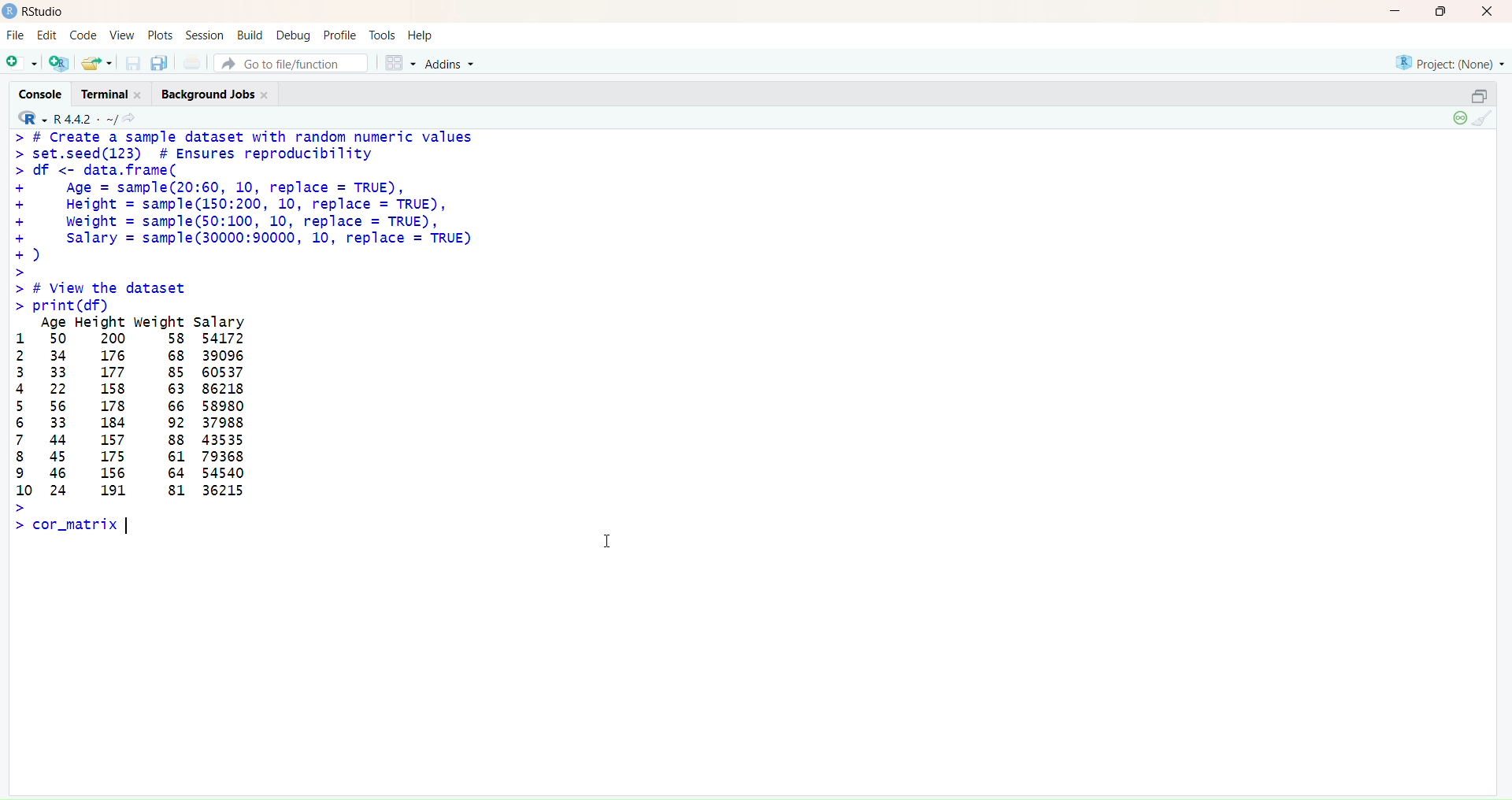 The width and height of the screenshot is (1512, 800). I want to click on Restore, so click(1479, 96).